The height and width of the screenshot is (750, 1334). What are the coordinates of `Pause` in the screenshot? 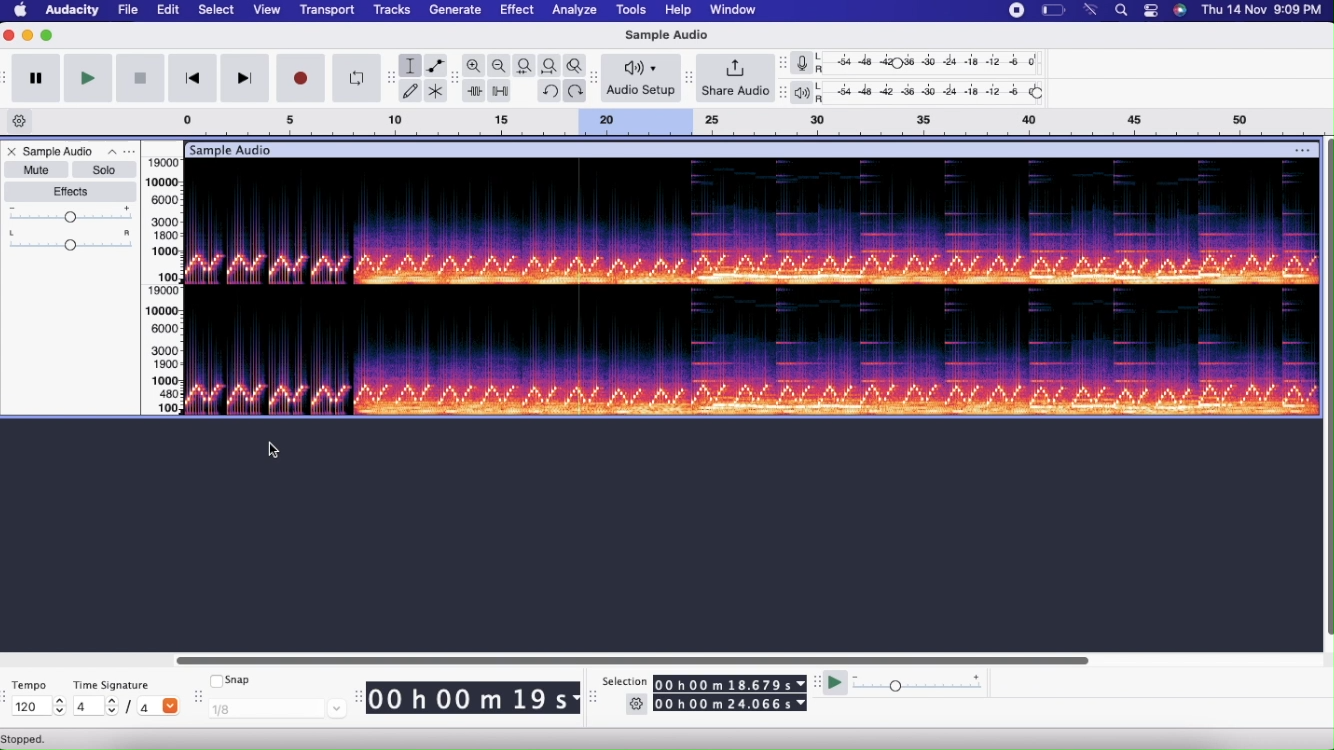 It's located at (36, 78).